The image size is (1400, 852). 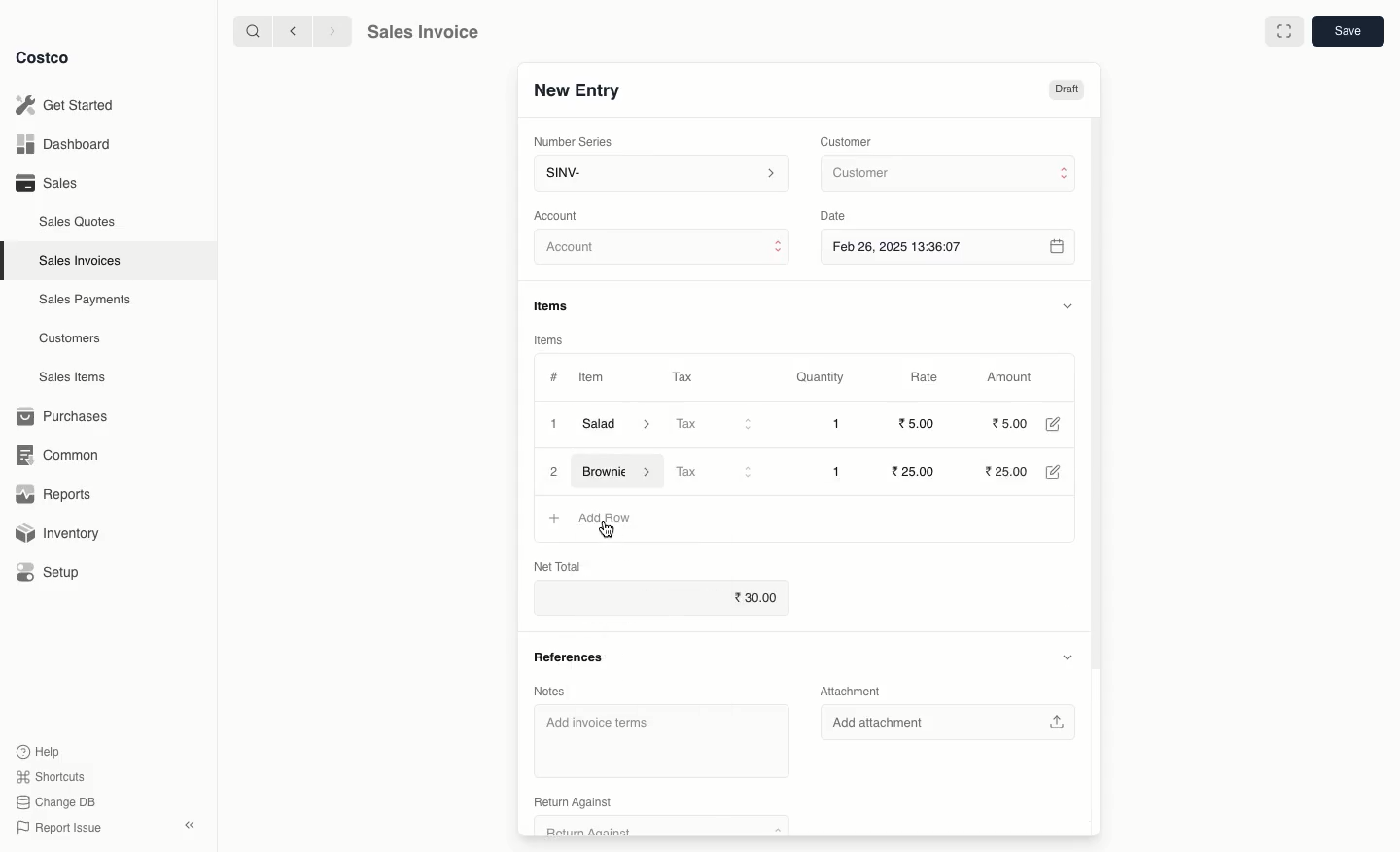 I want to click on 1, so click(x=836, y=424).